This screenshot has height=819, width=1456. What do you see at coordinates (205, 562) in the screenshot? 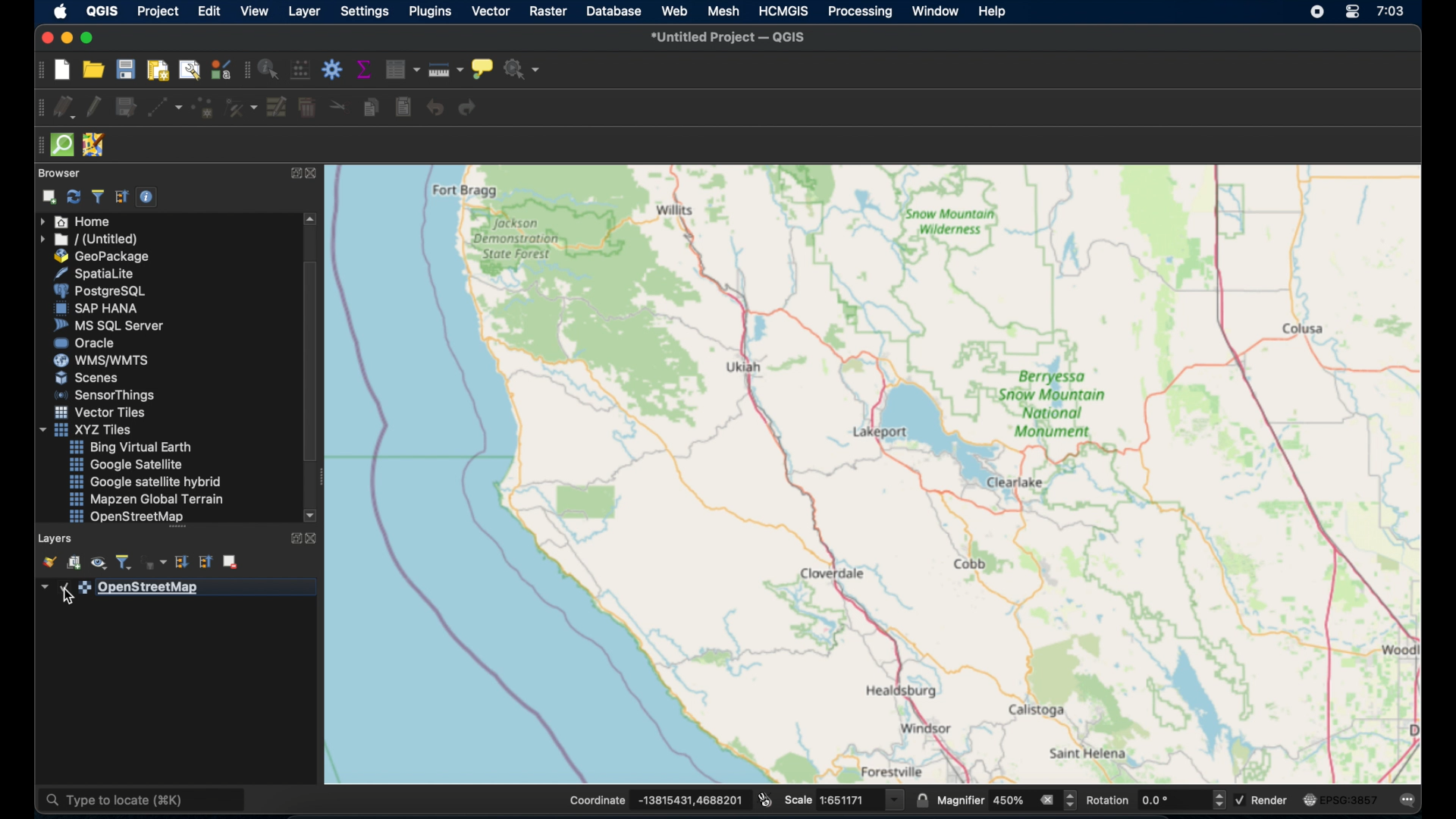
I see `collapse all` at bounding box center [205, 562].